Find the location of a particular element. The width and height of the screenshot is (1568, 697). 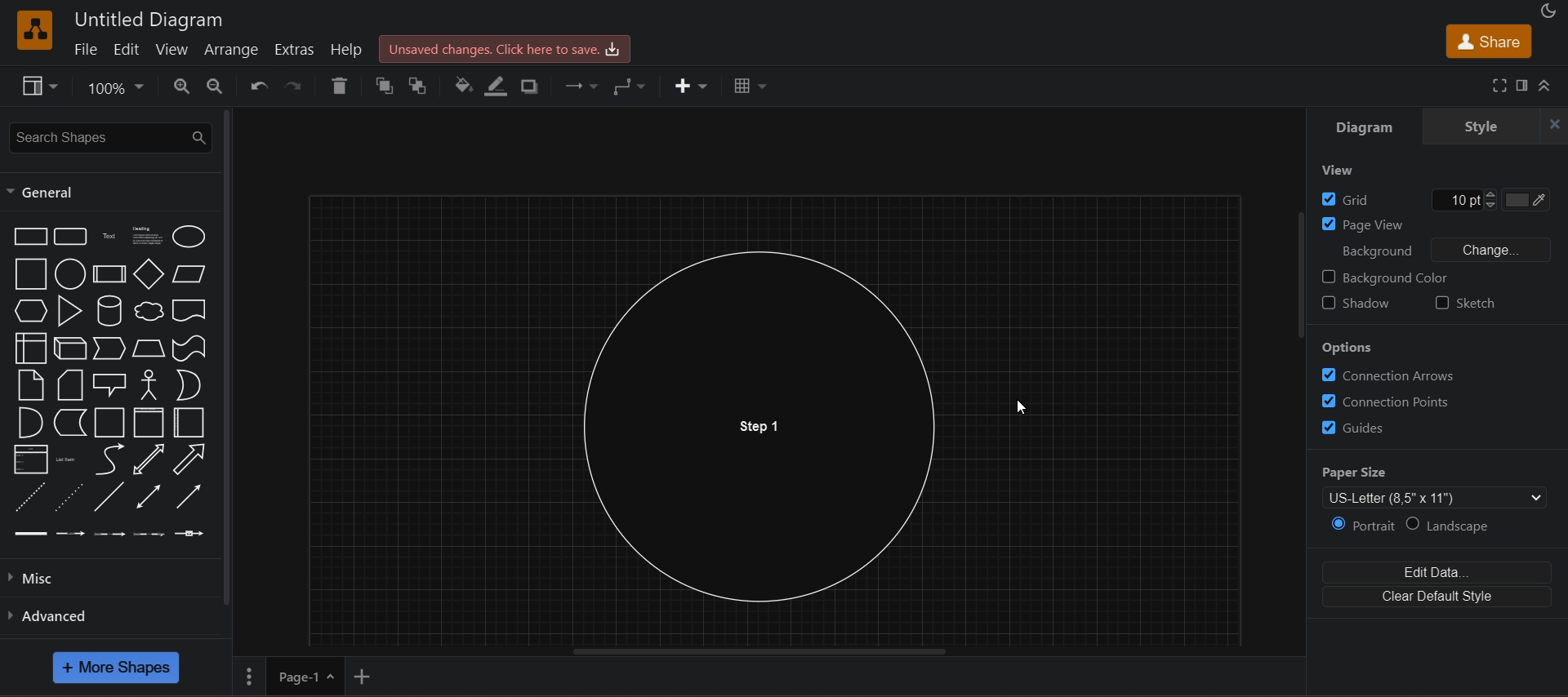

Shadow is located at coordinates (1367, 304).